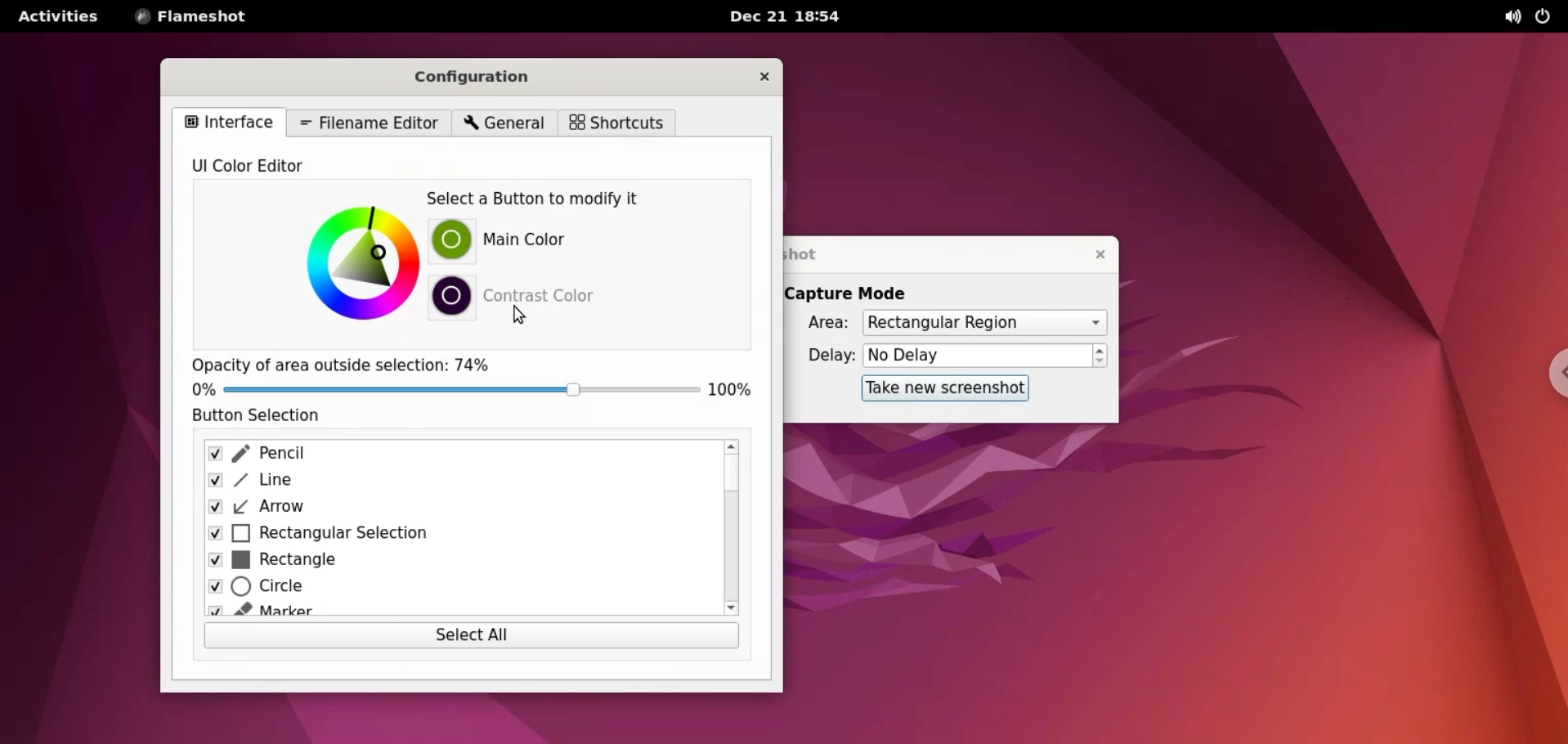 The image size is (1568, 744). Describe the element at coordinates (263, 419) in the screenshot. I see `button selection ` at that location.